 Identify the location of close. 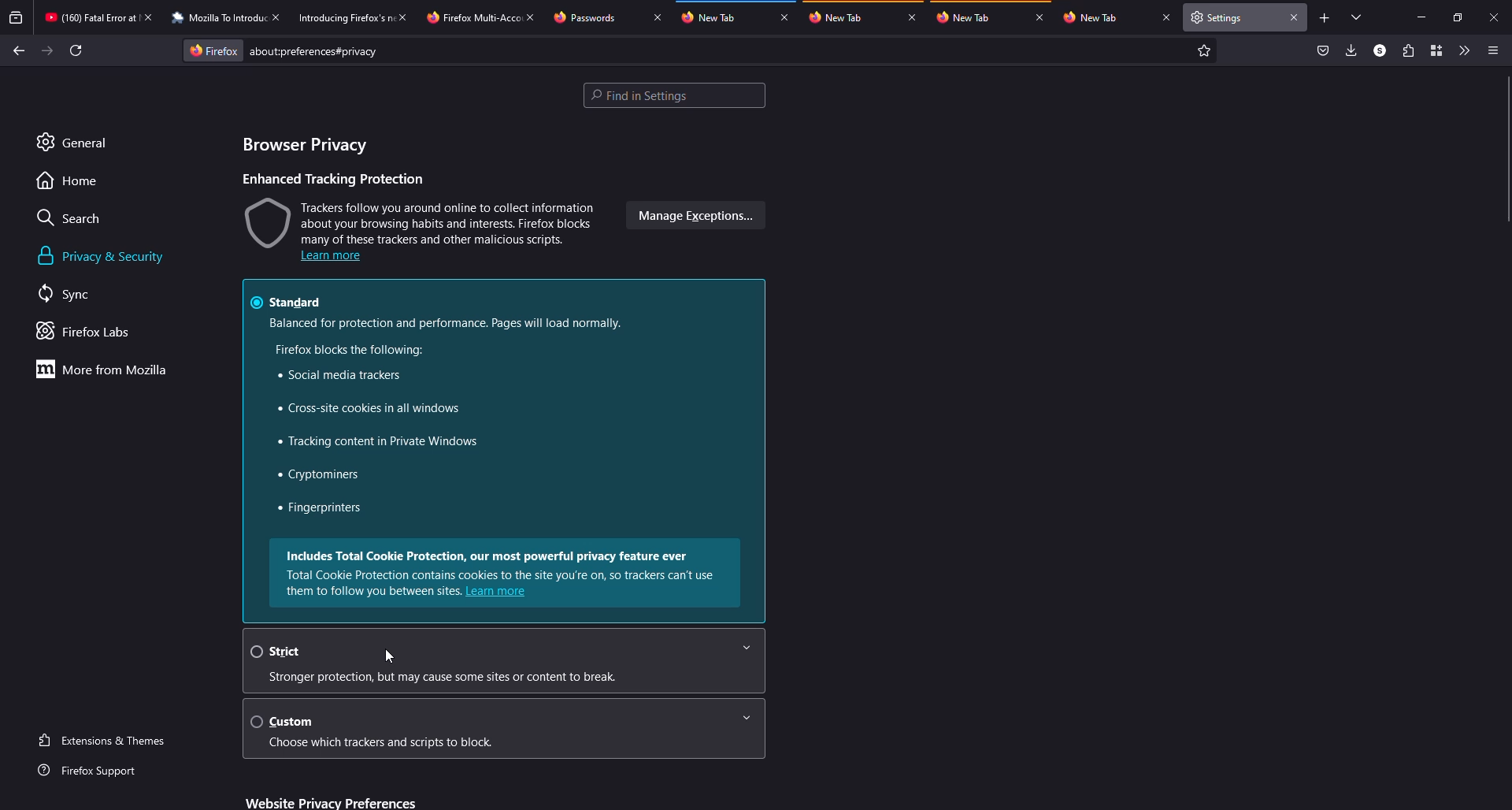
(534, 17).